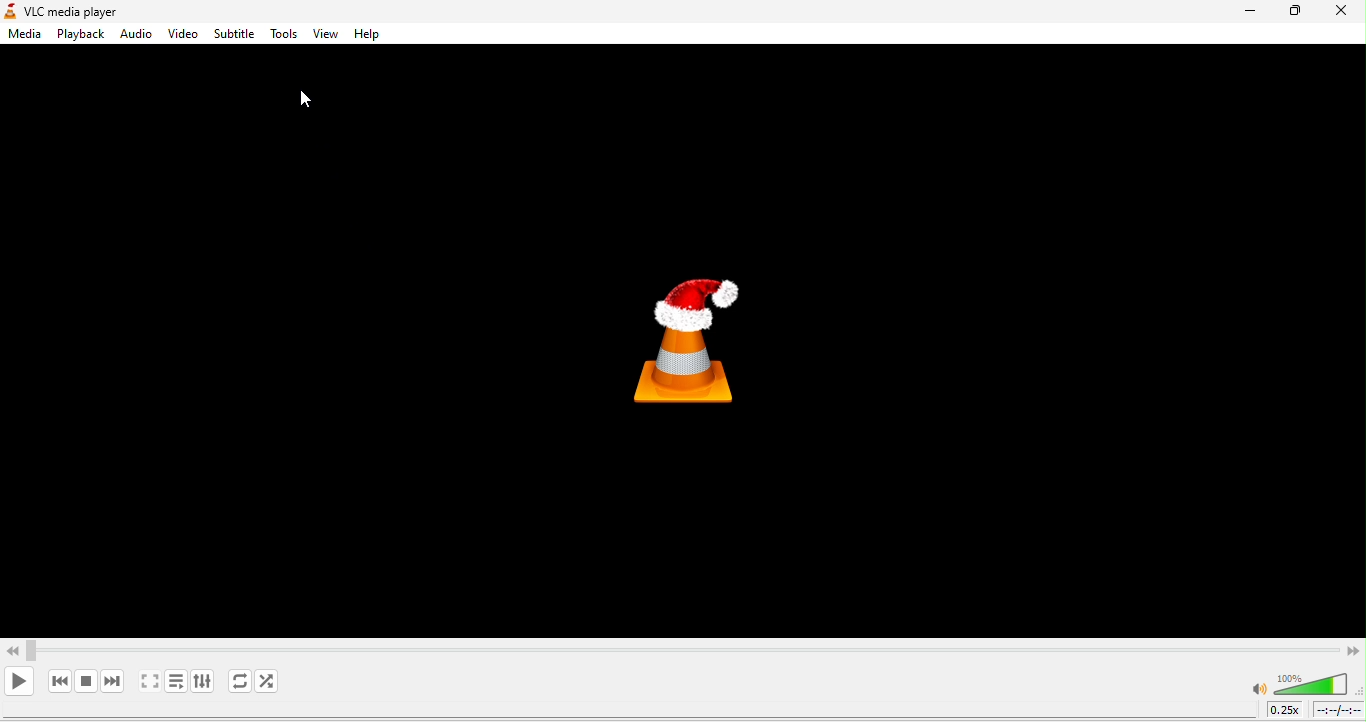  I want to click on random, so click(274, 683).